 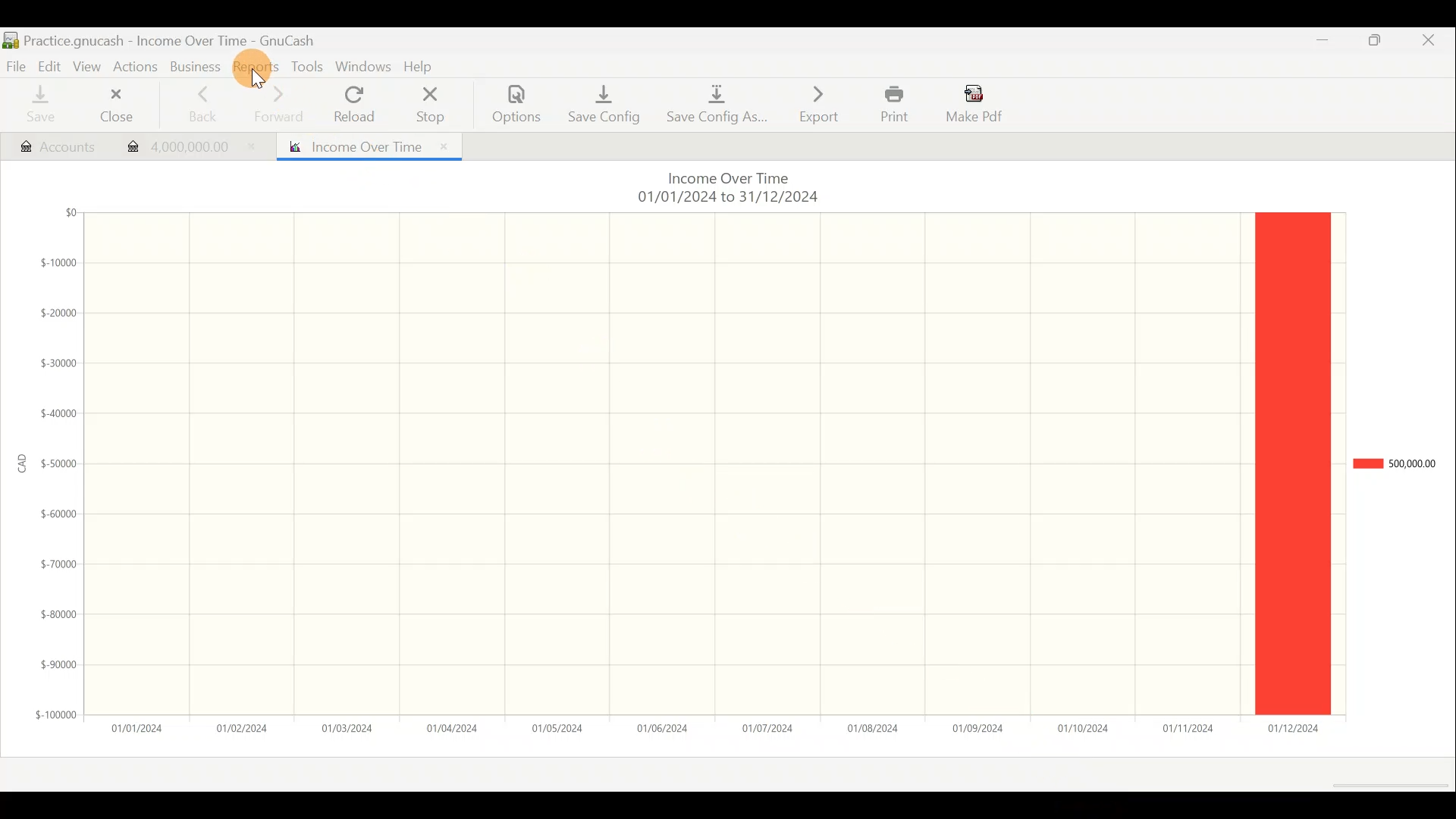 What do you see at coordinates (811, 104) in the screenshot?
I see `Export` at bounding box center [811, 104].